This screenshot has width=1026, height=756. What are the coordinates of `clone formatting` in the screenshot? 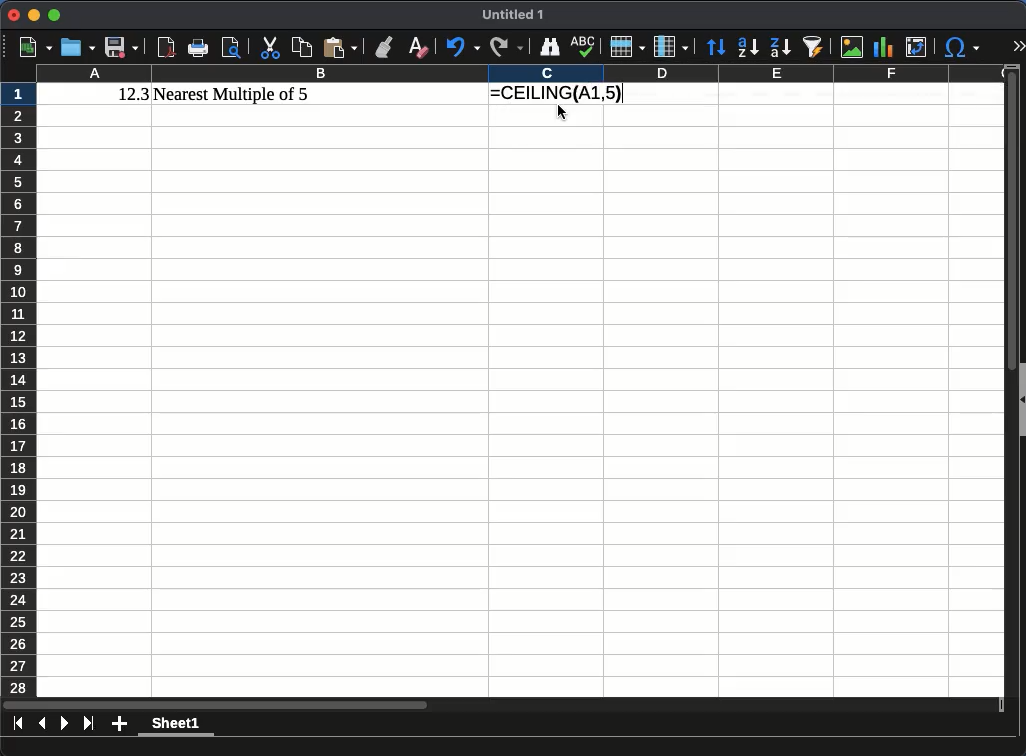 It's located at (383, 47).